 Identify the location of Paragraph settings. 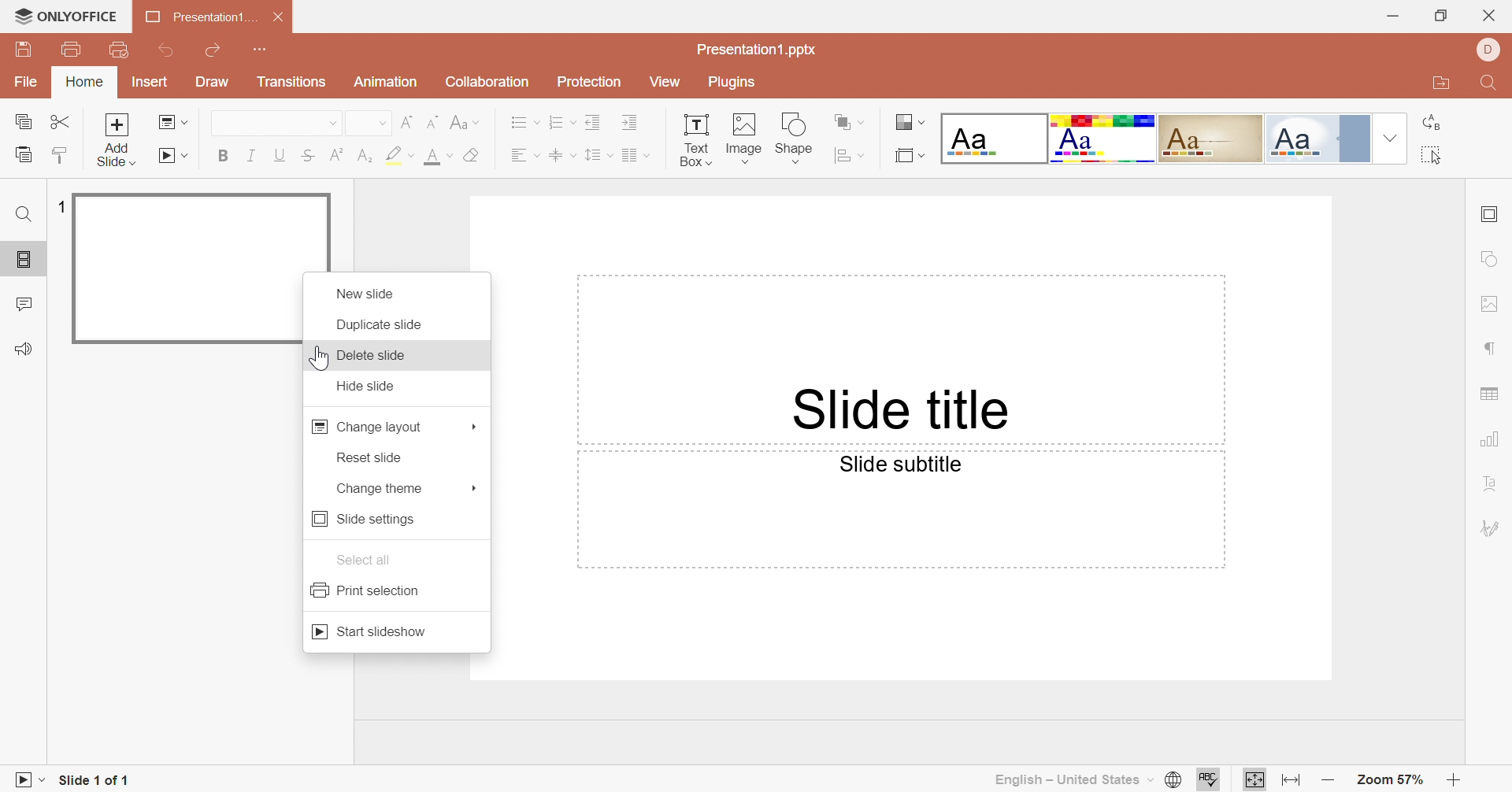
(1491, 350).